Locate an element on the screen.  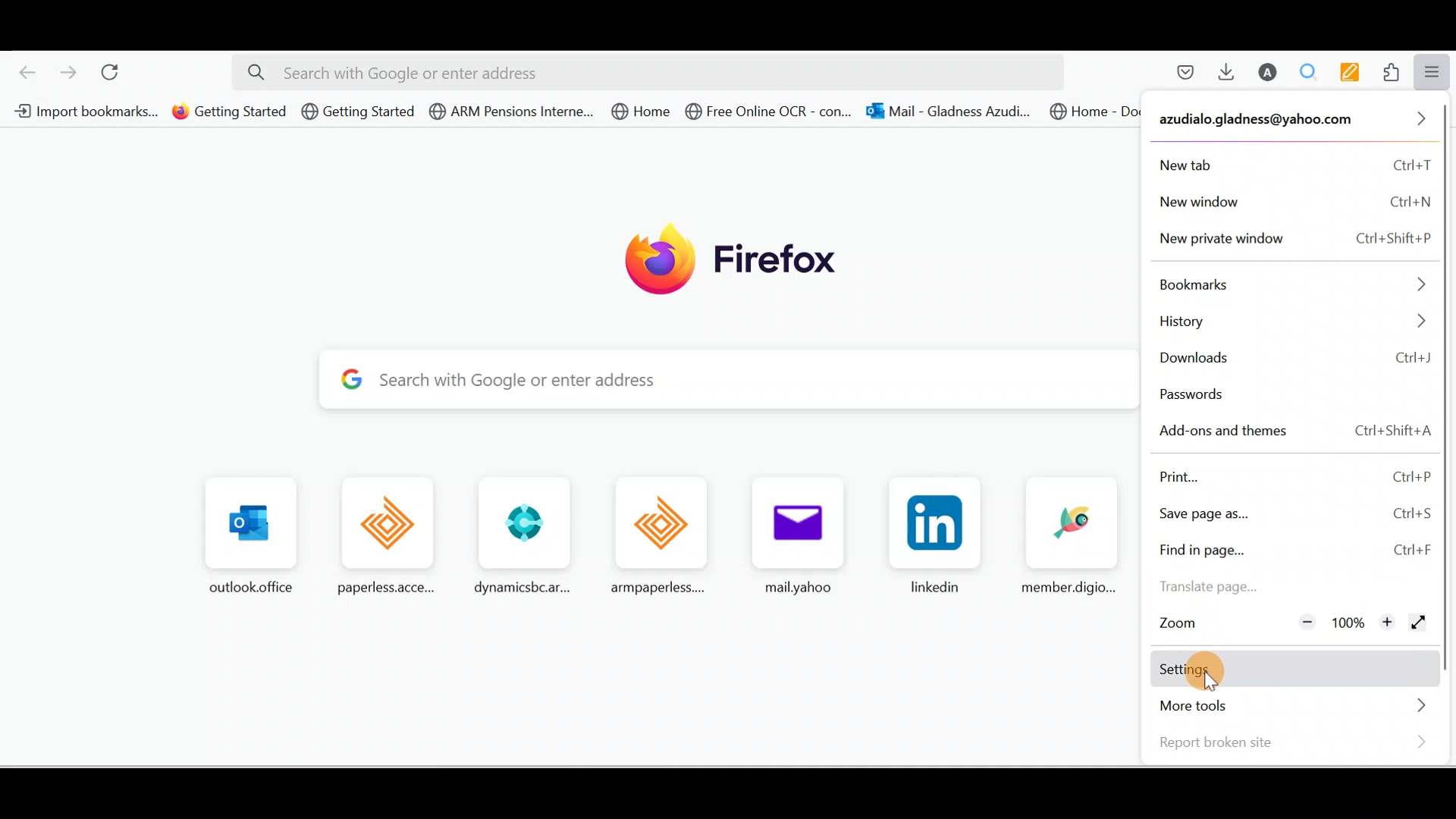
Account is located at coordinates (1290, 115).